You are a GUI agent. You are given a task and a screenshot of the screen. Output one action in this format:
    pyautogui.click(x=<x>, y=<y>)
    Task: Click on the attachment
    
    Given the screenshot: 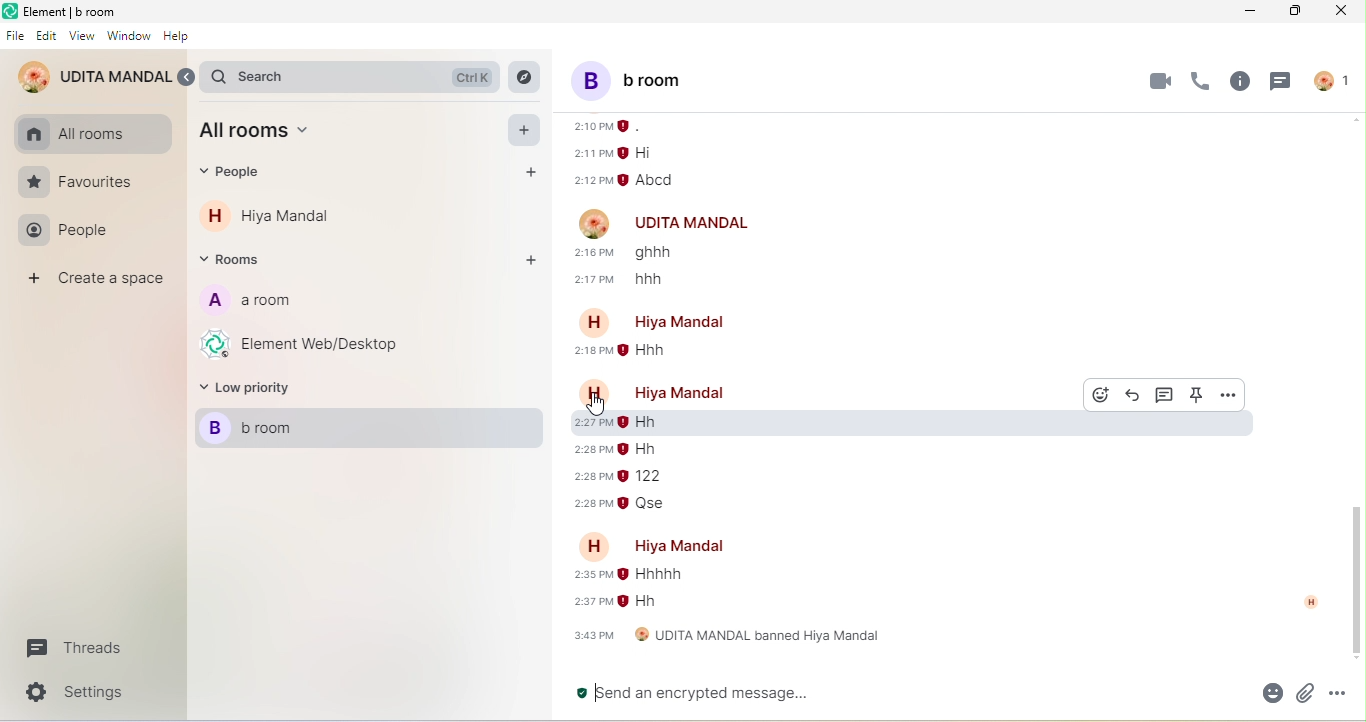 What is the action you would take?
    pyautogui.click(x=1303, y=693)
    